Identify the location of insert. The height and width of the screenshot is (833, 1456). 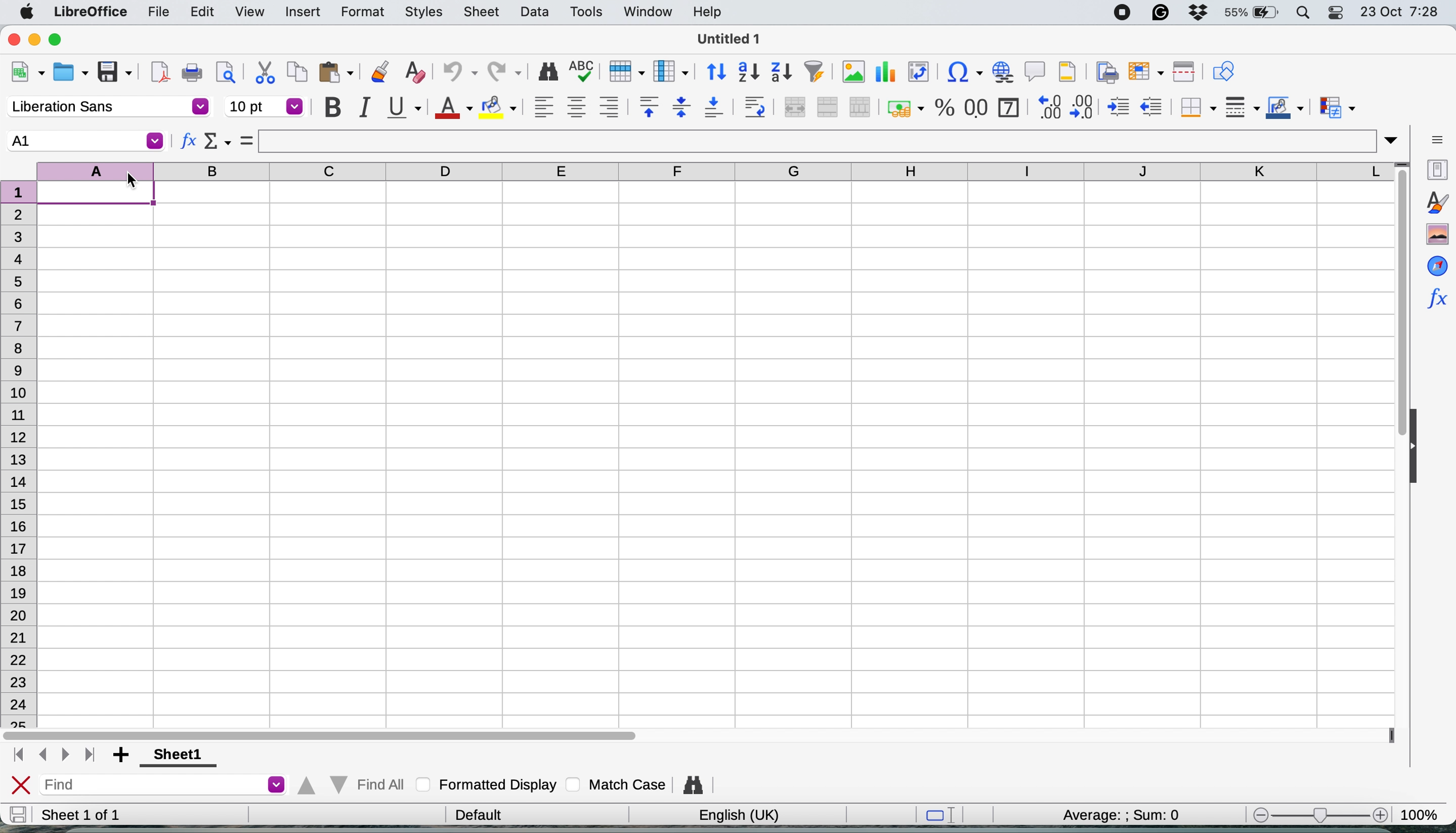
(300, 12).